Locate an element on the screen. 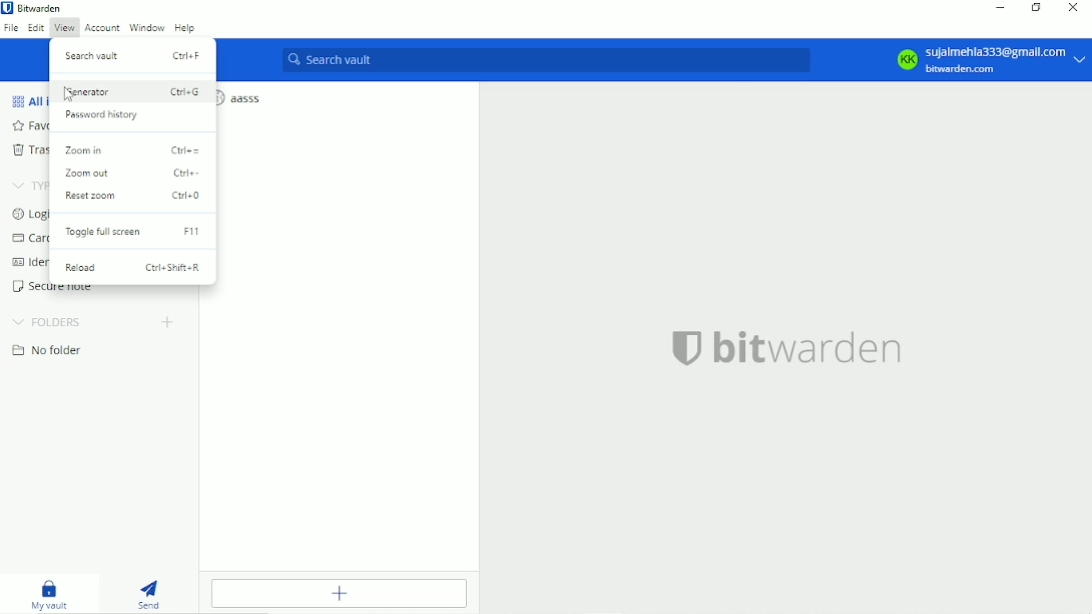  Edit is located at coordinates (36, 29).